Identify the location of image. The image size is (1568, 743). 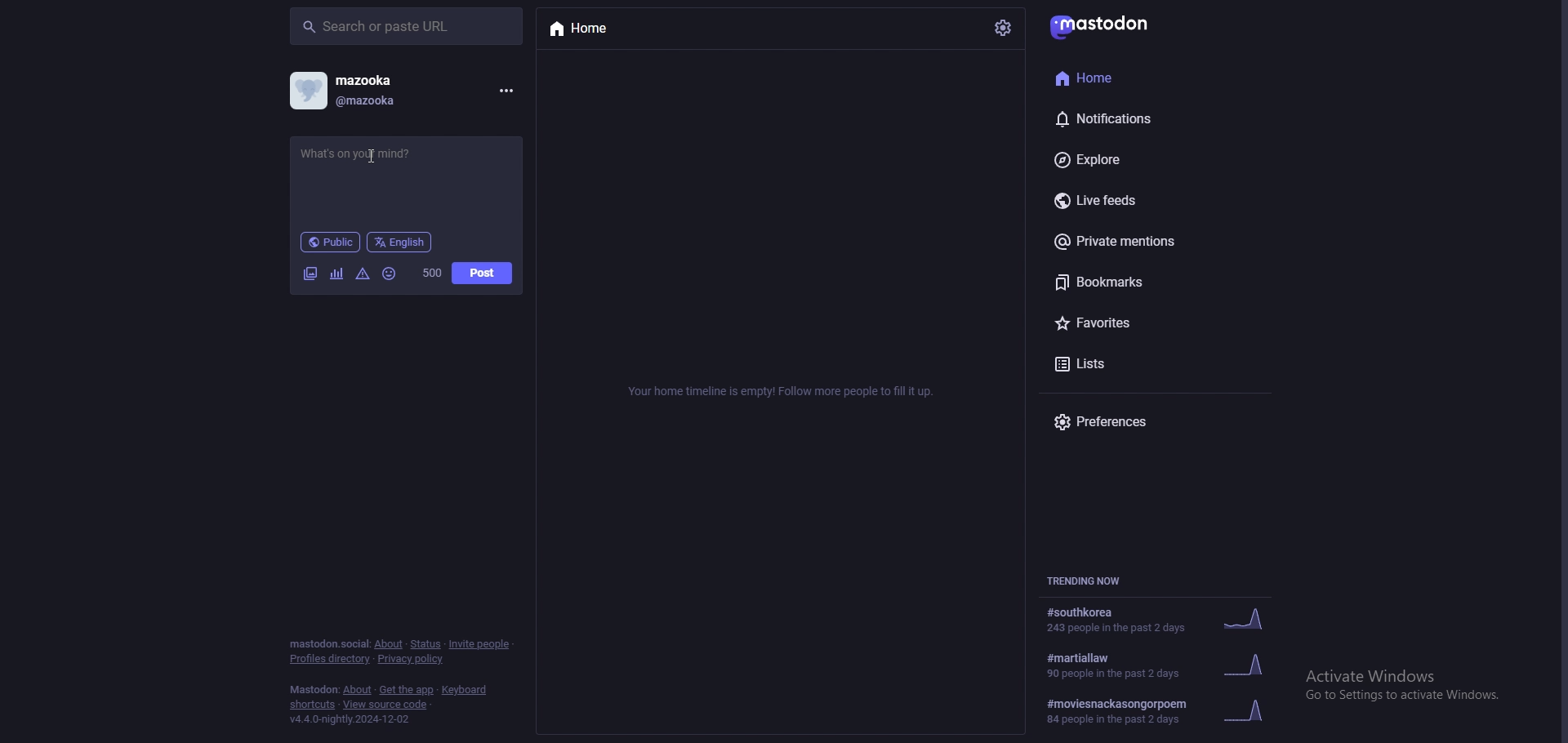
(310, 273).